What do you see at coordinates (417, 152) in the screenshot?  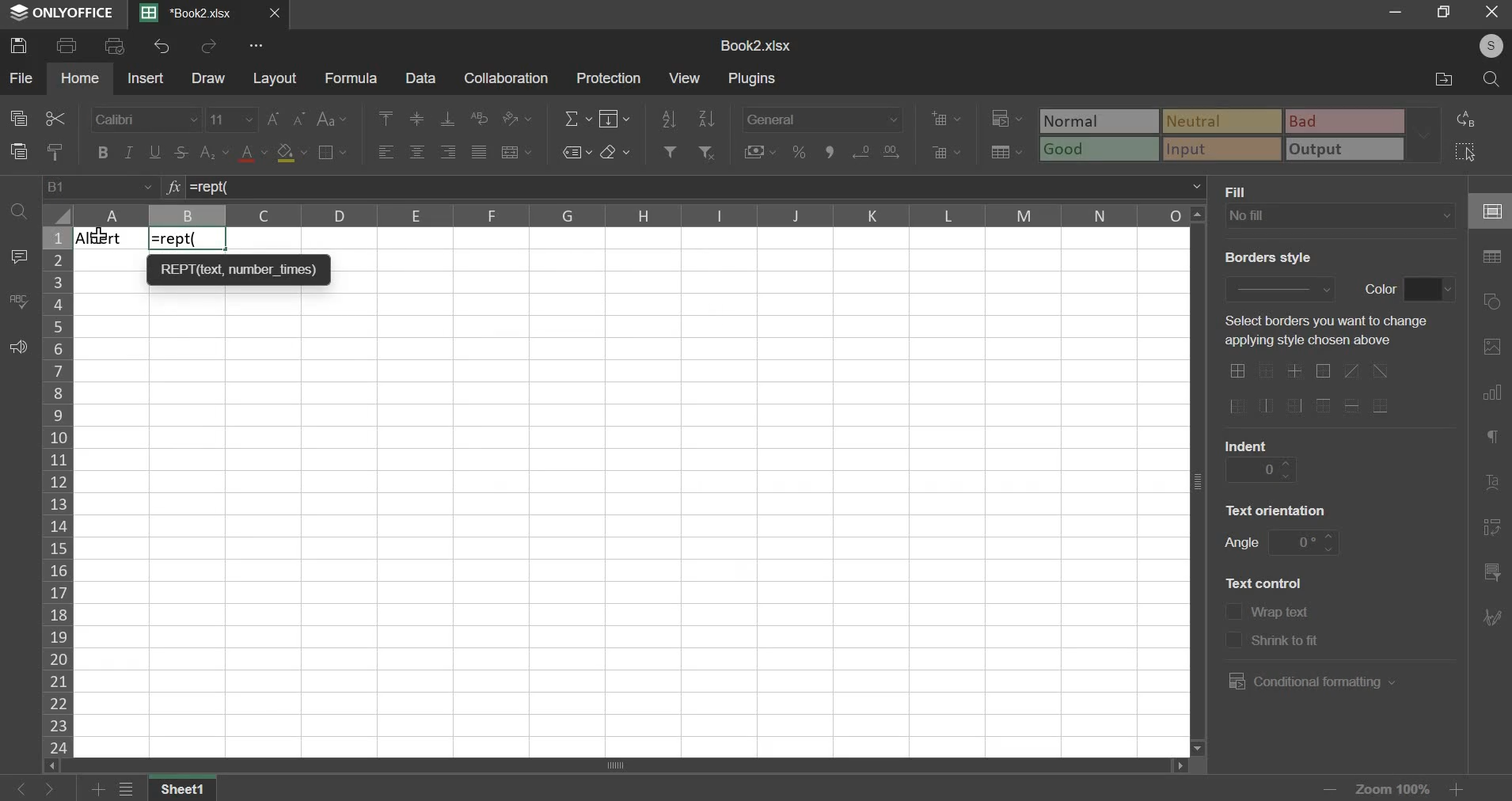 I see `horizontal alignment` at bounding box center [417, 152].